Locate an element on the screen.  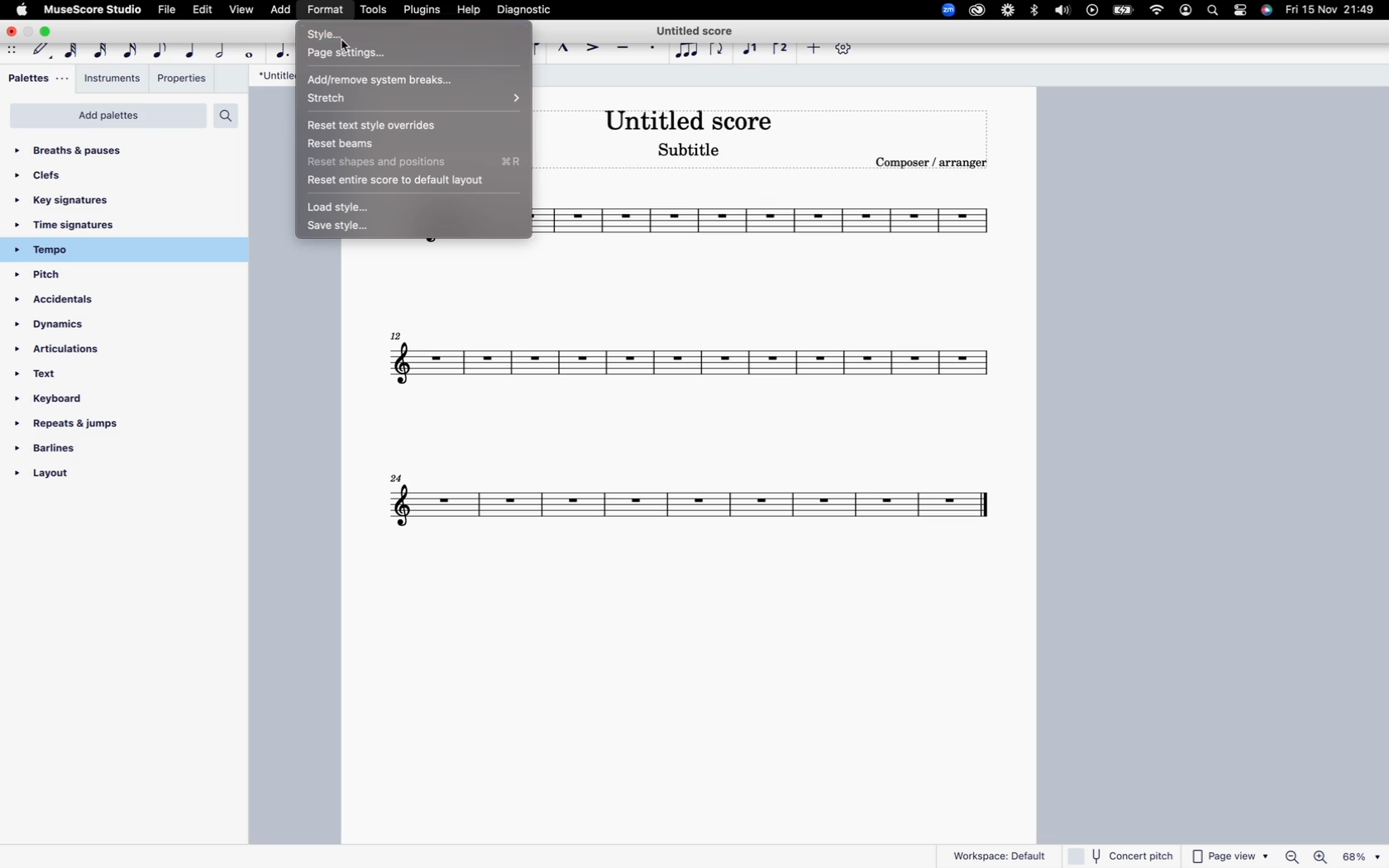
view is located at coordinates (241, 9).